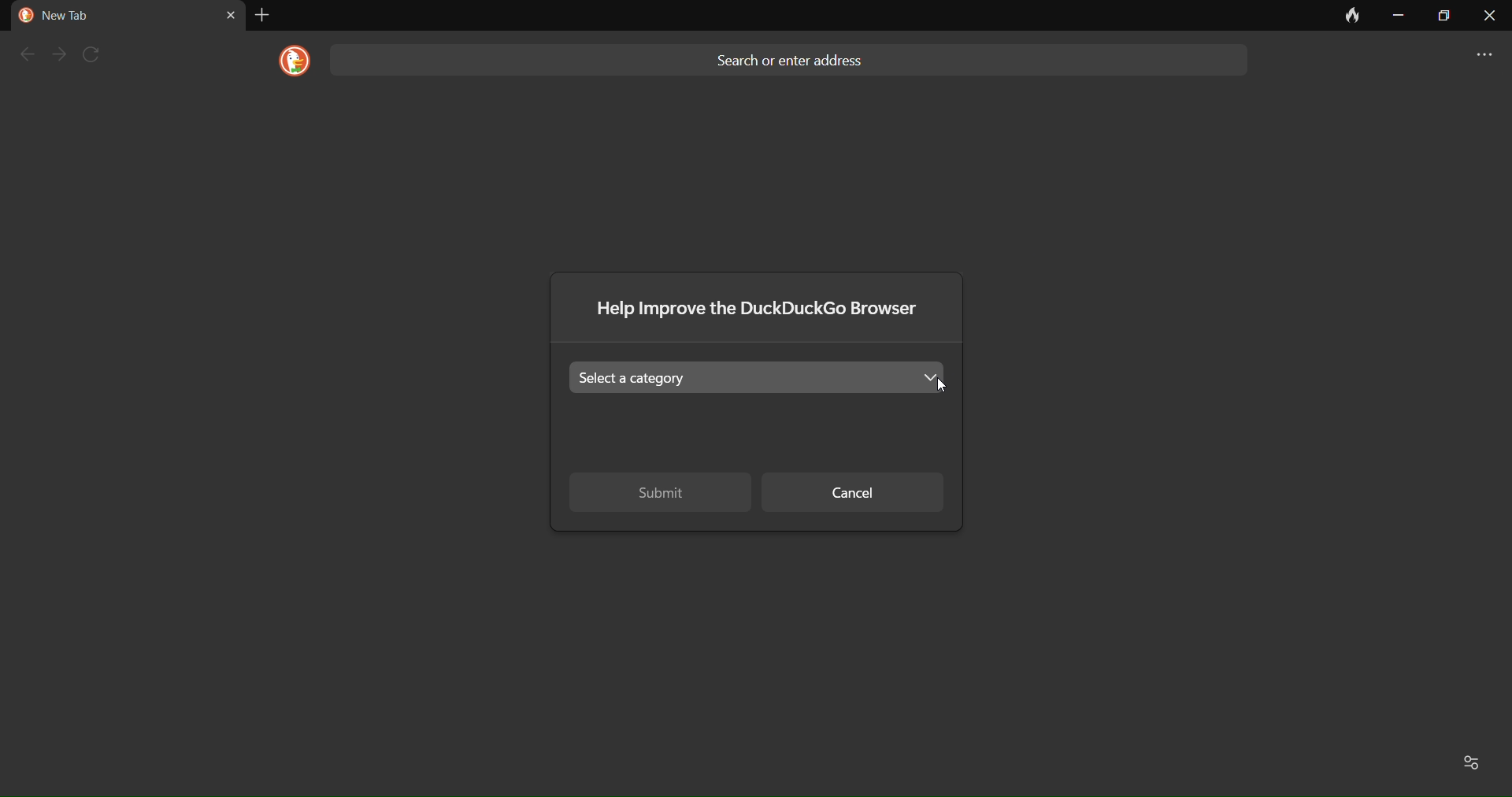 The width and height of the screenshot is (1512, 797). Describe the element at coordinates (289, 61) in the screenshot. I see `logo` at that location.